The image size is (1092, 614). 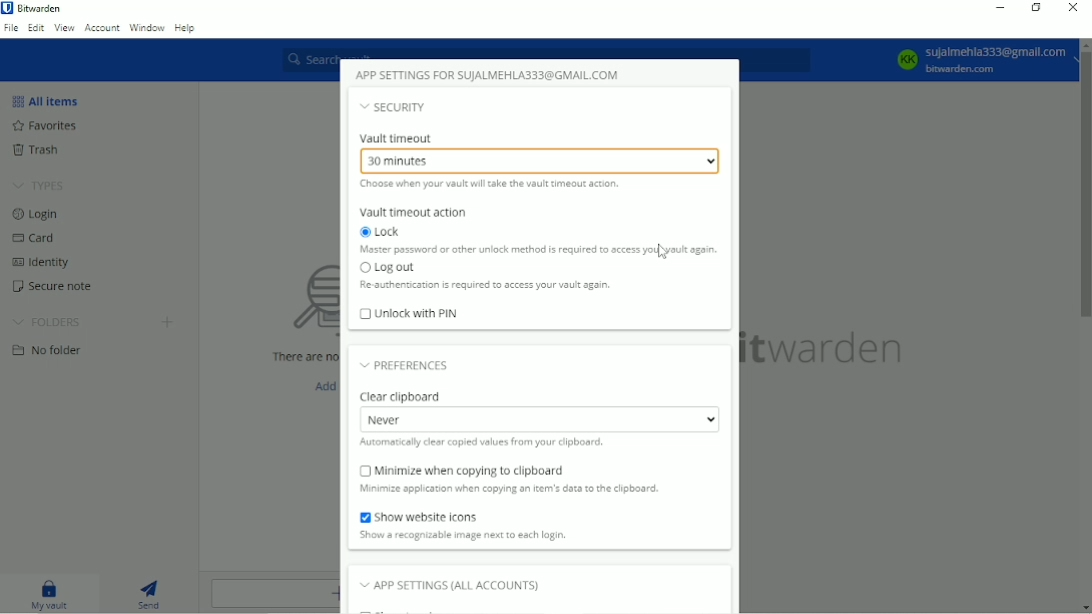 What do you see at coordinates (509, 489) in the screenshot?
I see `Minimize application when copying an item's data to the clipboard.` at bounding box center [509, 489].